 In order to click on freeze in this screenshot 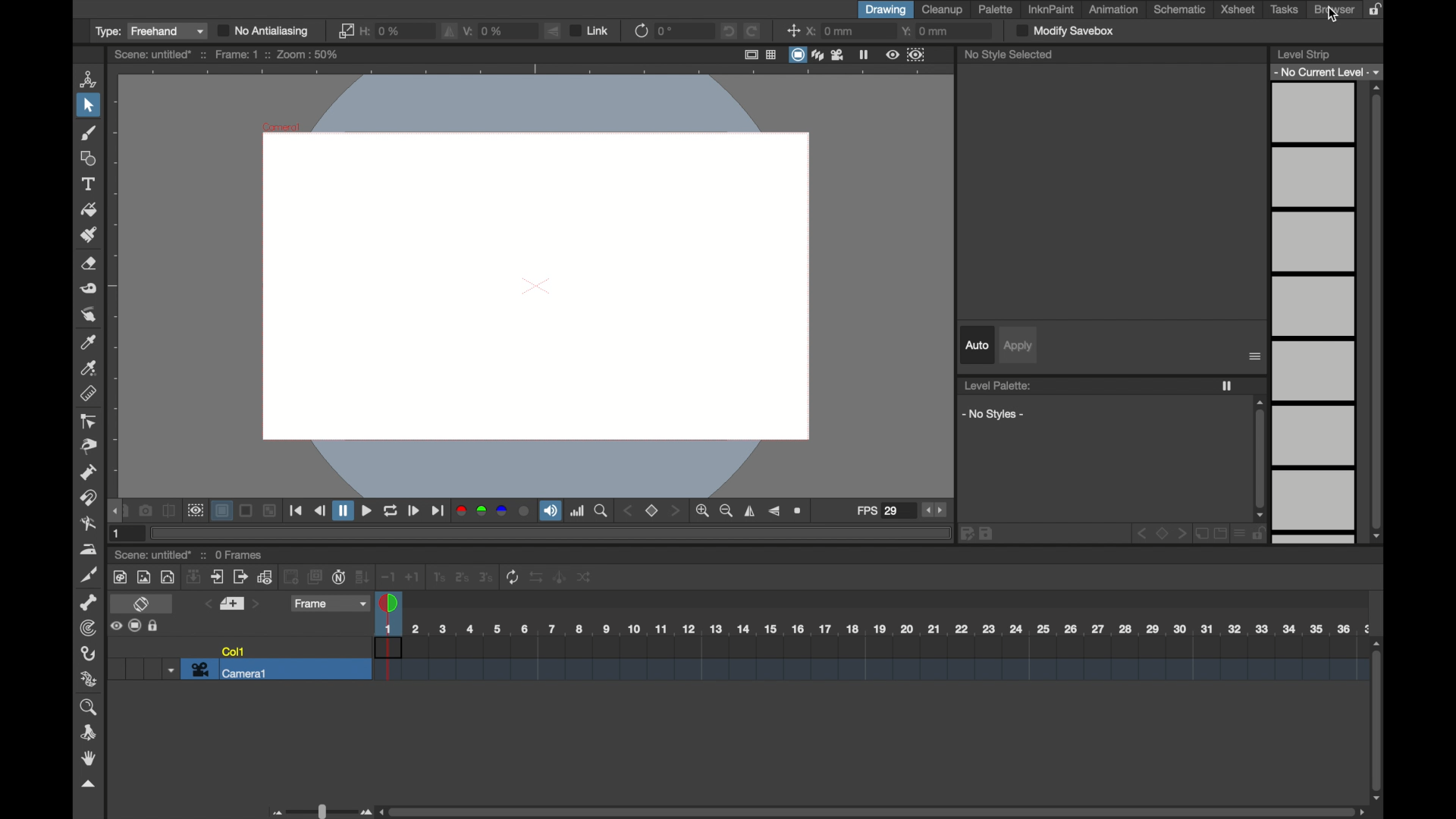, I will do `click(864, 55)`.